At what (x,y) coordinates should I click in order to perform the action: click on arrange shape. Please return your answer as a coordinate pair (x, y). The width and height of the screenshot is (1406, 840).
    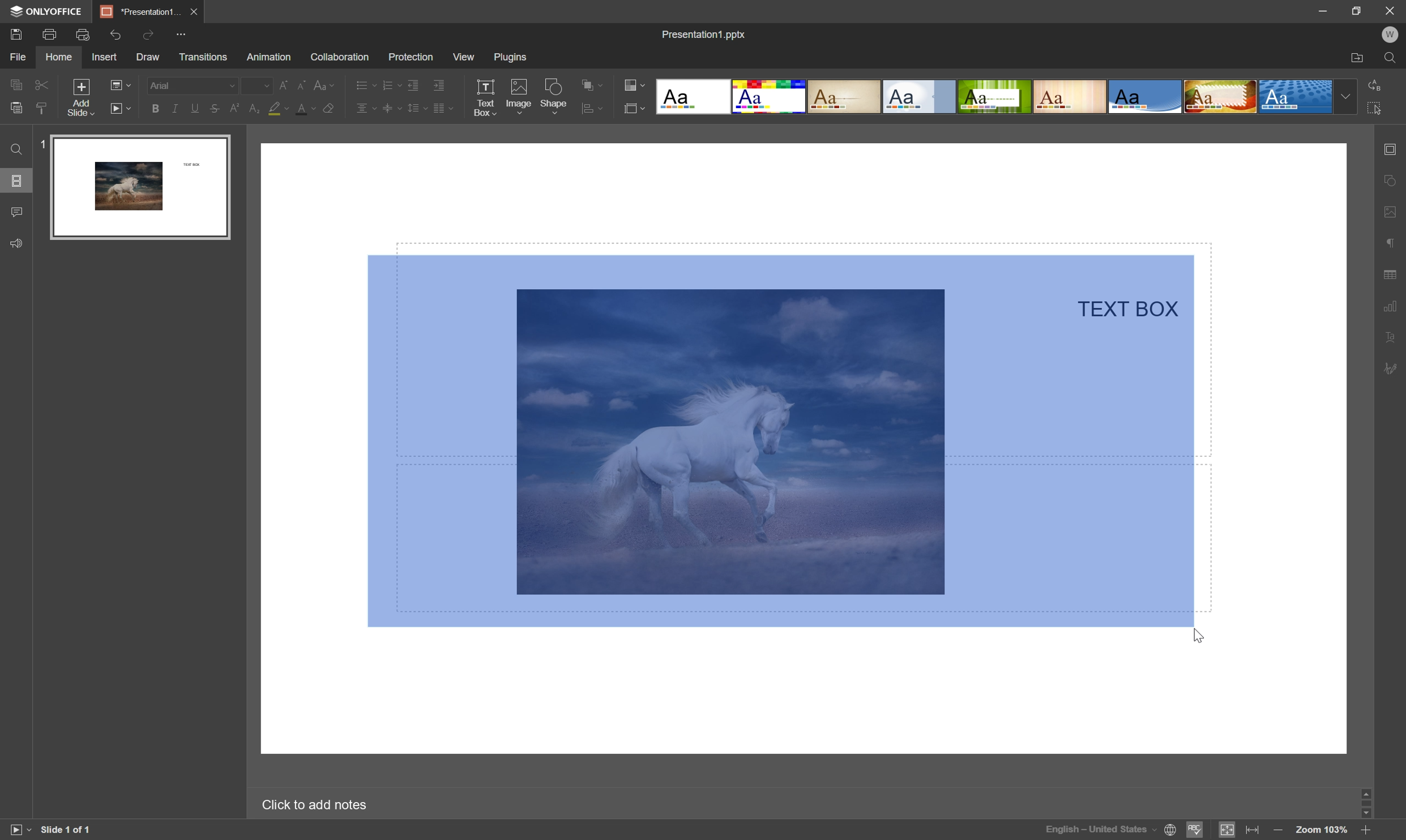
    Looking at the image, I should click on (593, 84).